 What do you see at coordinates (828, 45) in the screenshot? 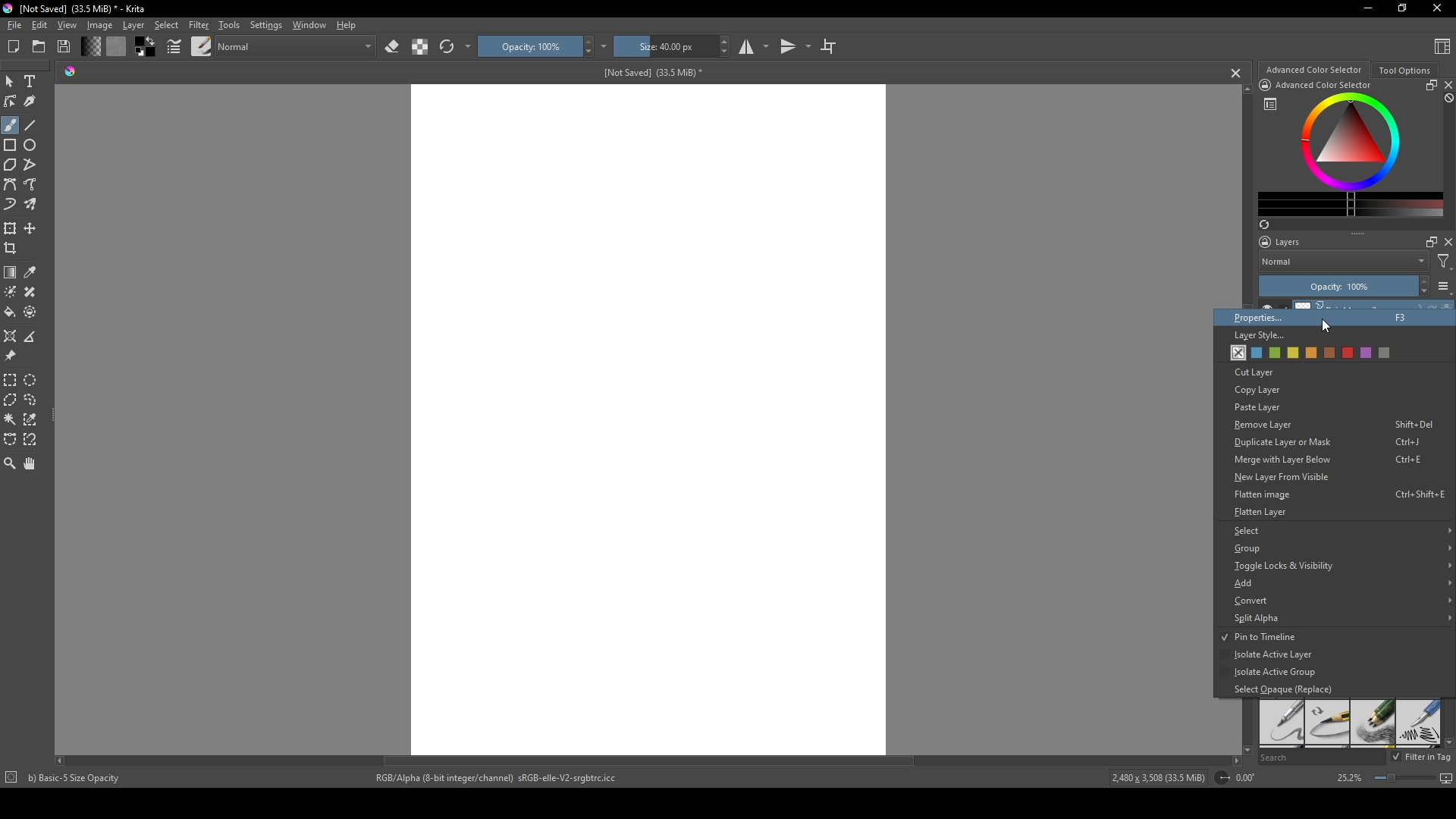
I see `crop` at bounding box center [828, 45].